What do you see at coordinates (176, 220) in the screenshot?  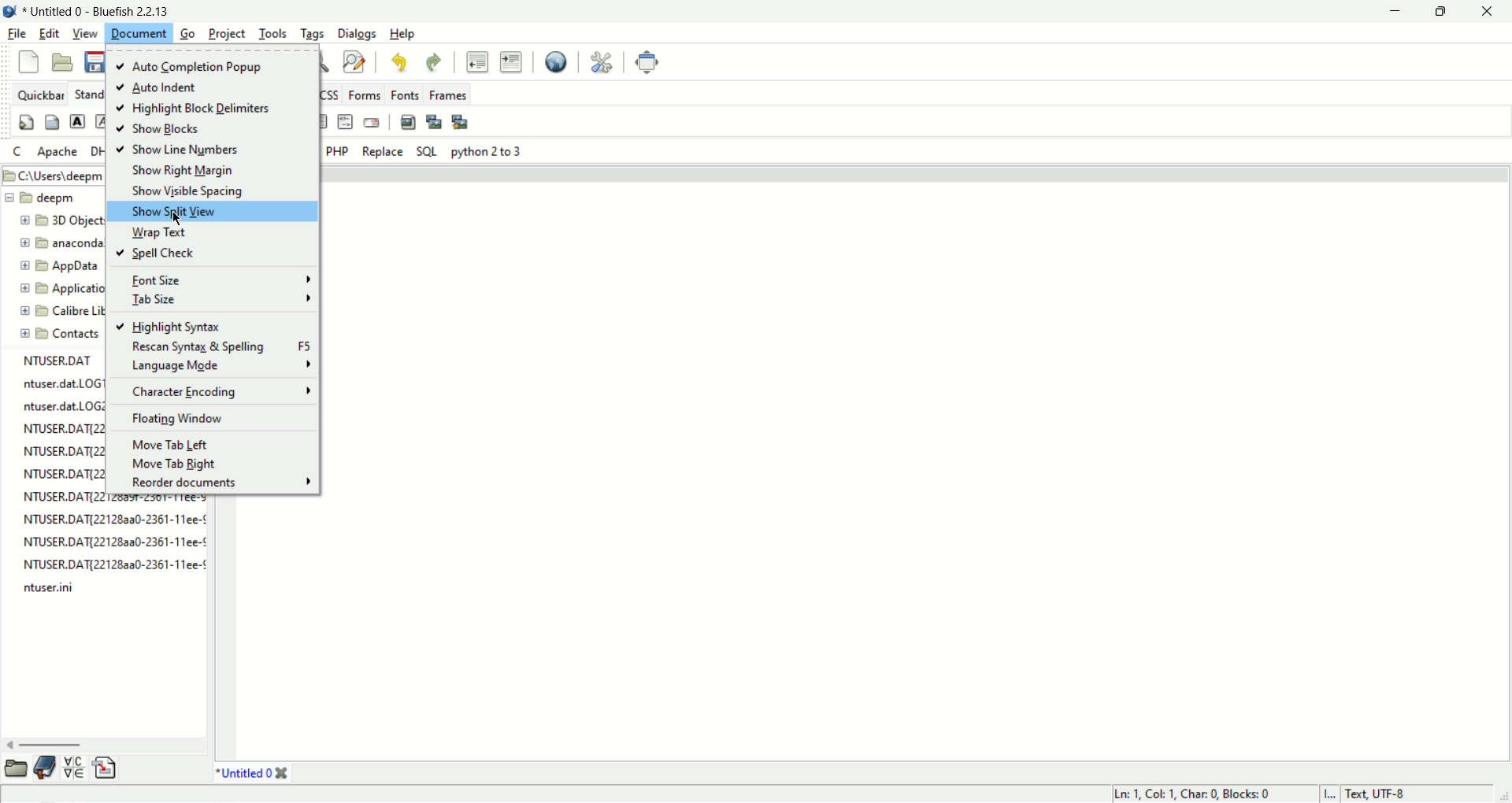 I see `cursor` at bounding box center [176, 220].